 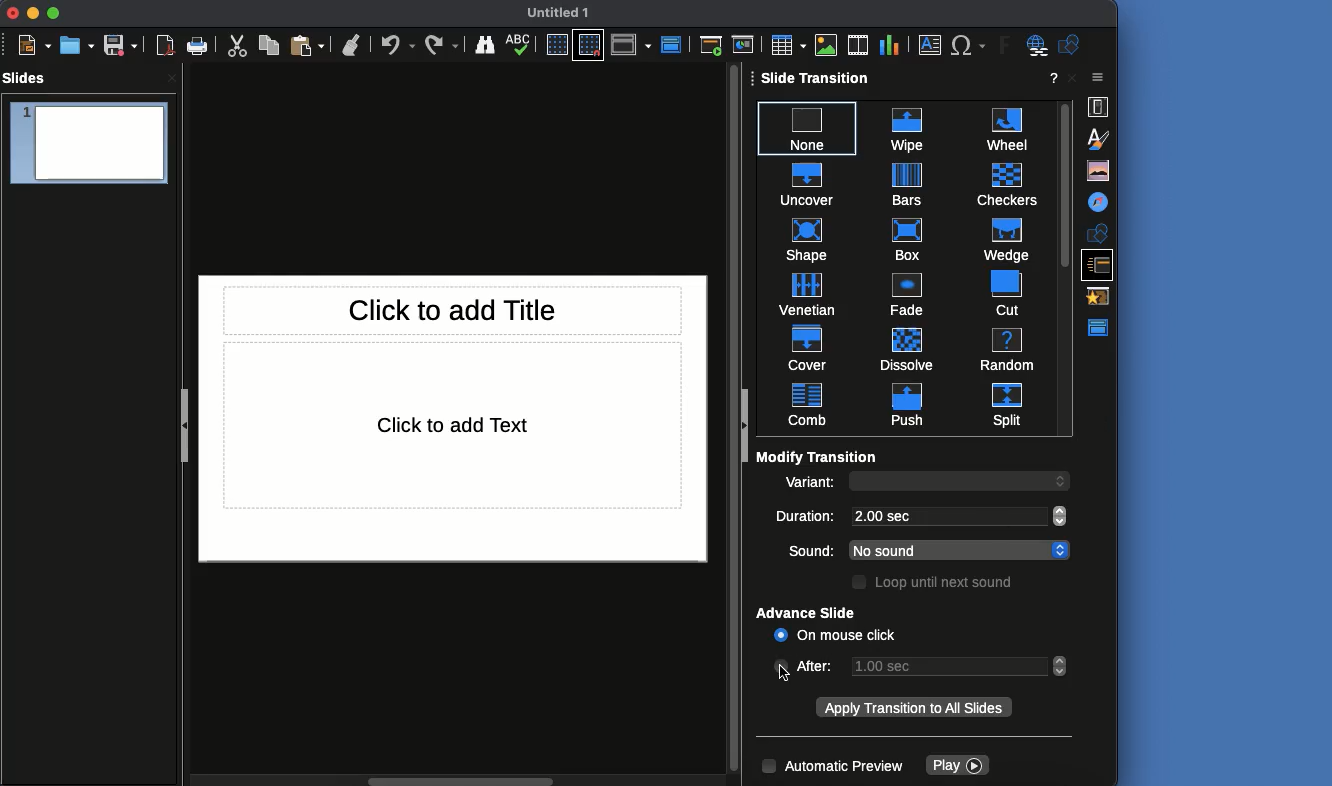 I want to click on comb, so click(x=808, y=405).